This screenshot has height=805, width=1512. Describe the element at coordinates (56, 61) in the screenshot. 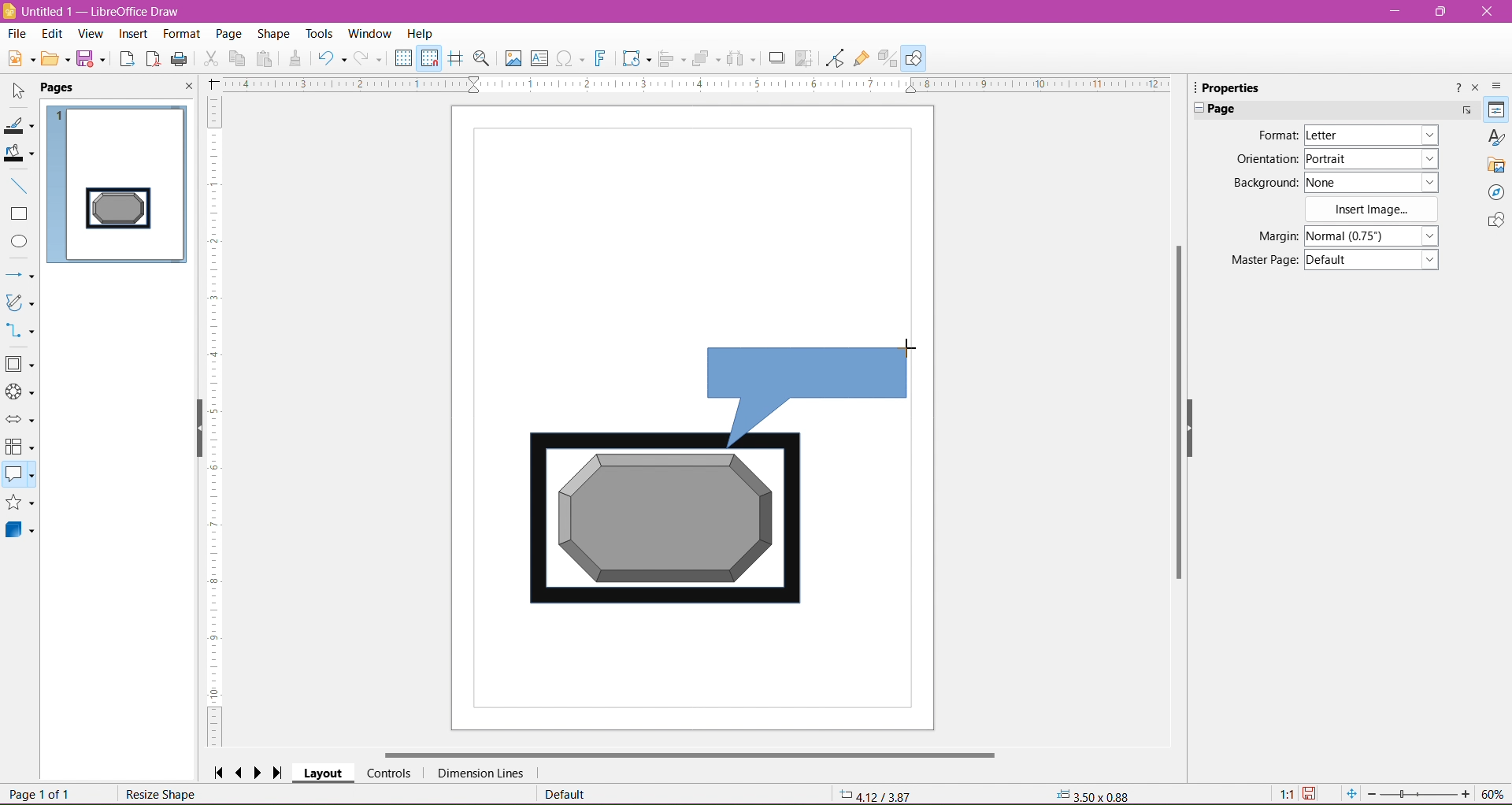

I see `Open` at that location.